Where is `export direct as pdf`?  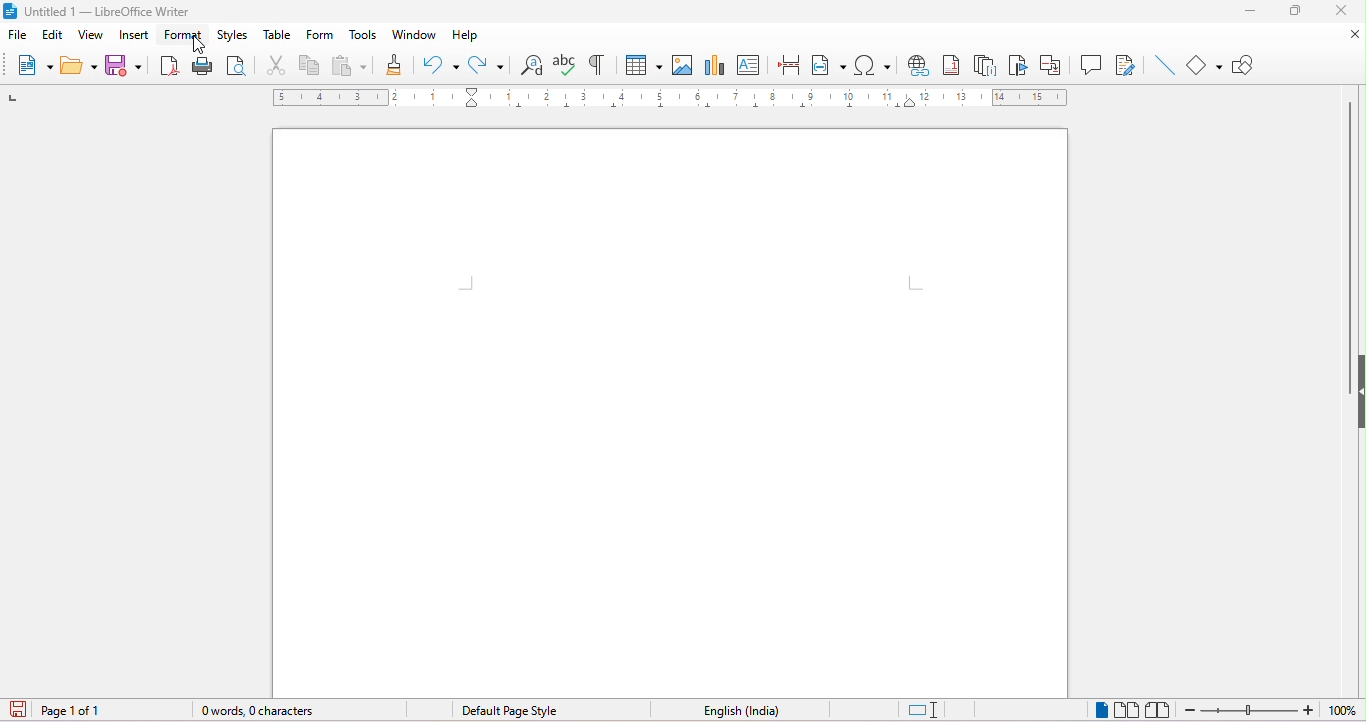
export direct as pdf is located at coordinates (167, 66).